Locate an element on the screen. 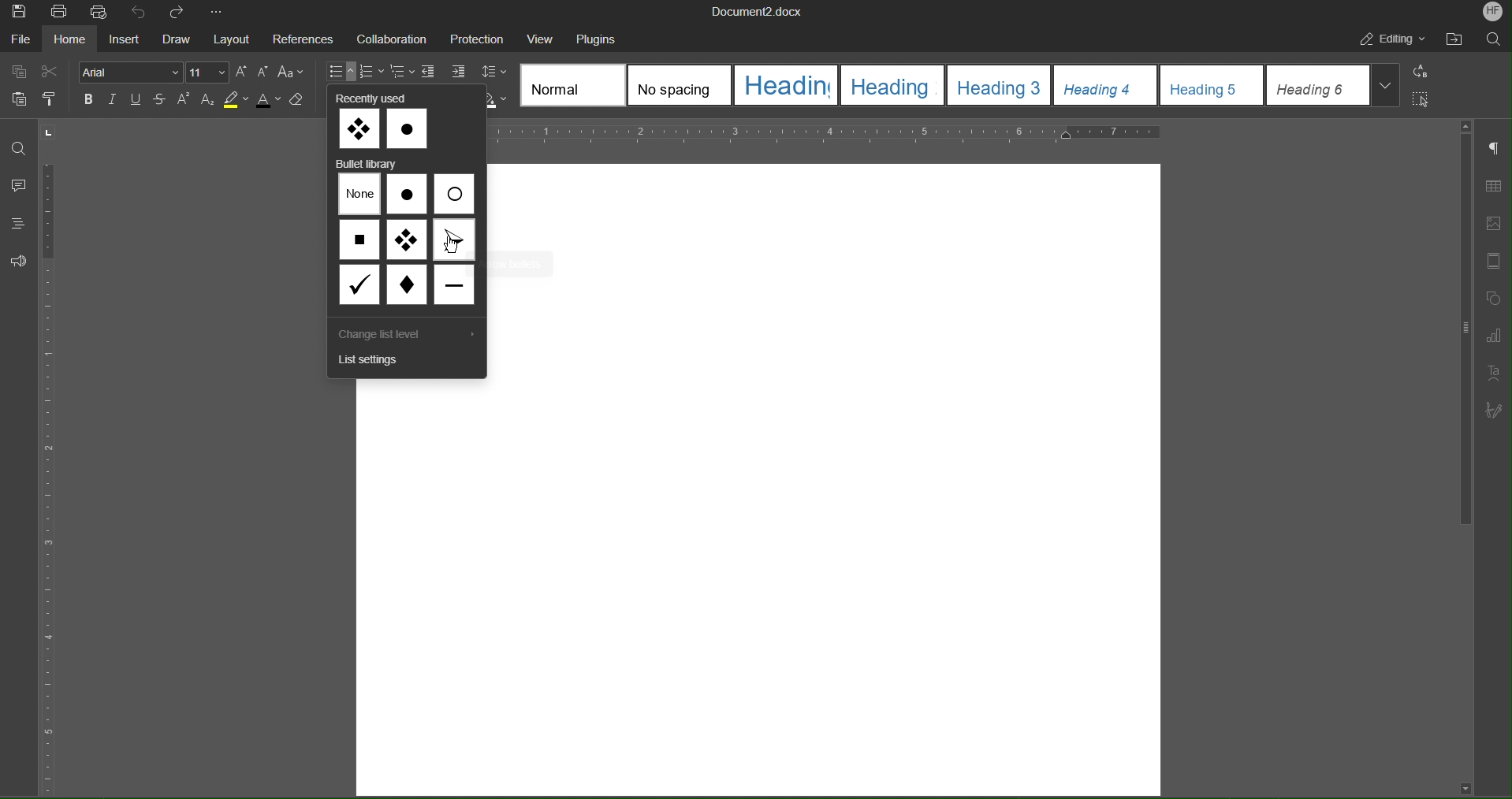  Cut is located at coordinates (57, 71).